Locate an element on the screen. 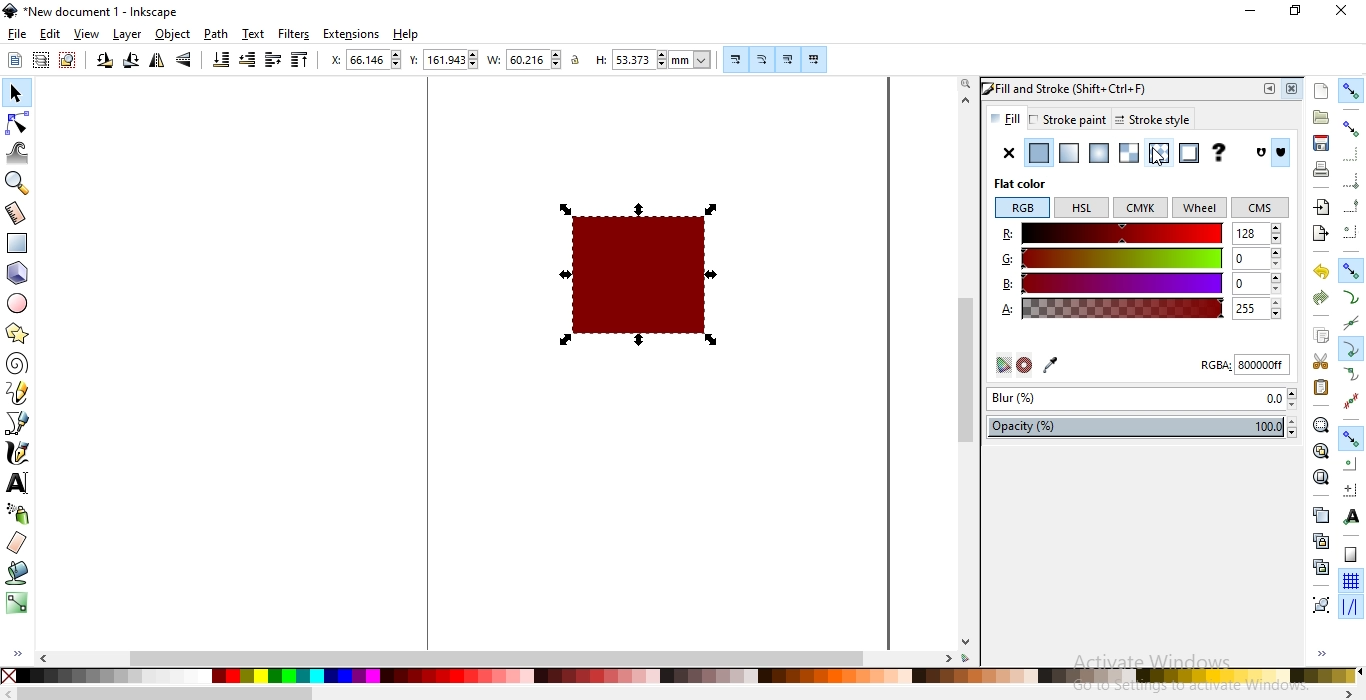  R is located at coordinates (1111, 234).